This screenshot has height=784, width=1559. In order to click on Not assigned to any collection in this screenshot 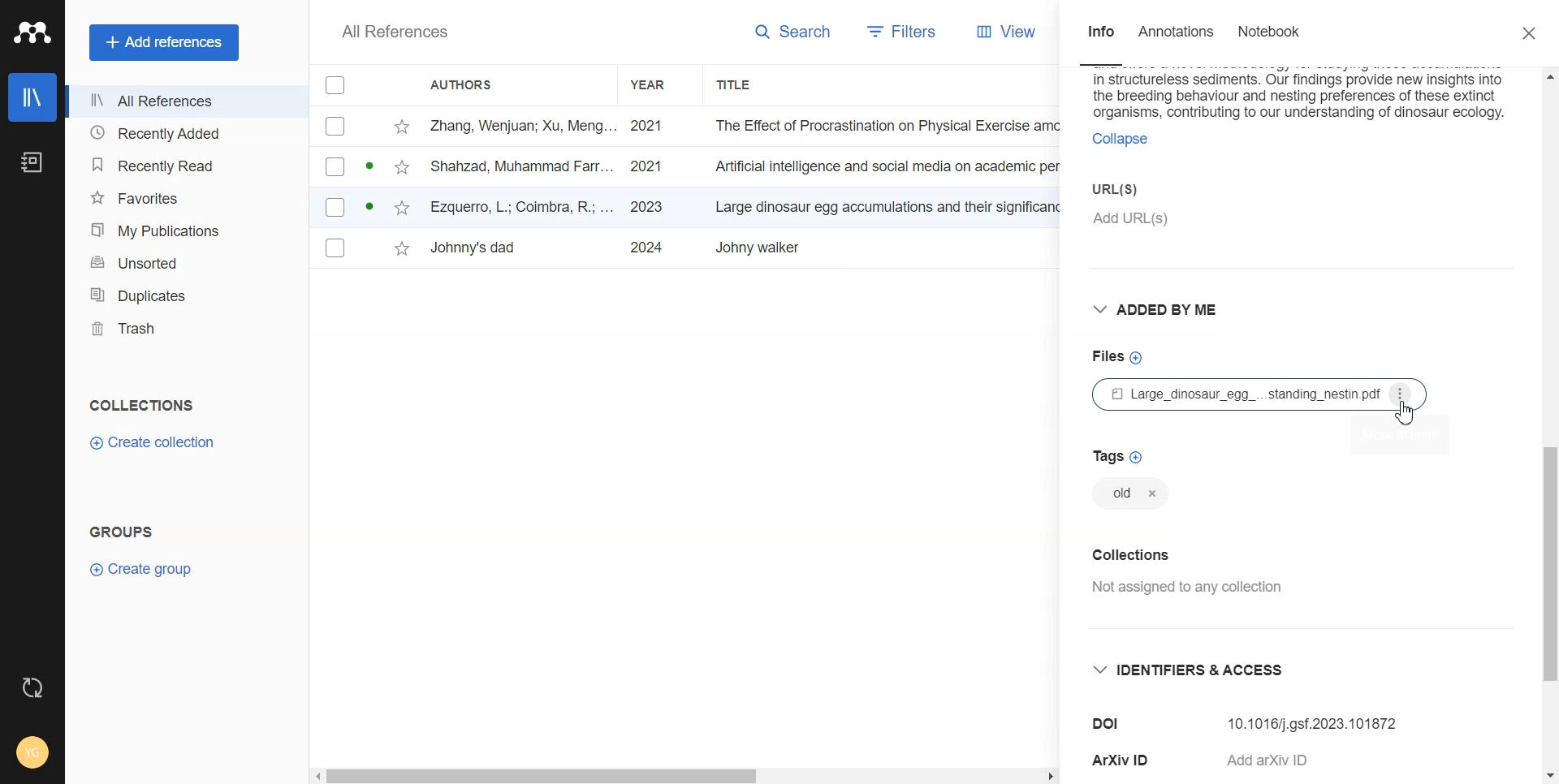, I will do `click(1194, 589)`.